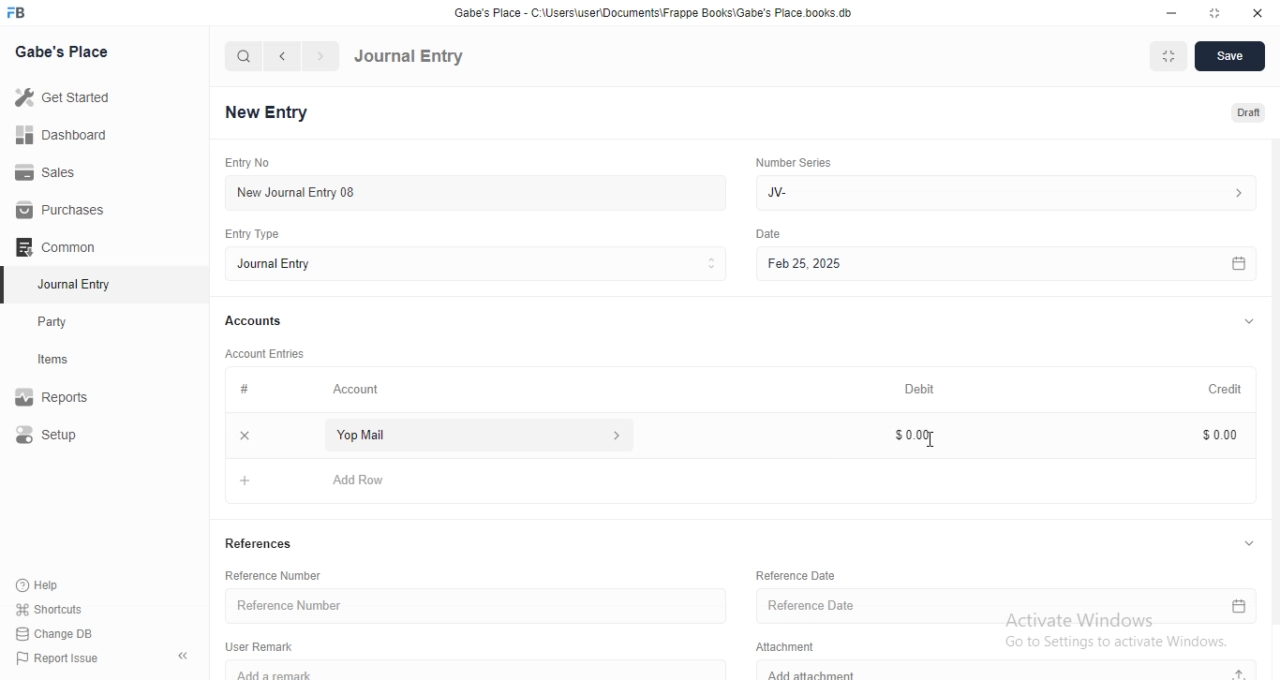 This screenshot has height=680, width=1280. I want to click on New Journal Entry 08, so click(470, 192).